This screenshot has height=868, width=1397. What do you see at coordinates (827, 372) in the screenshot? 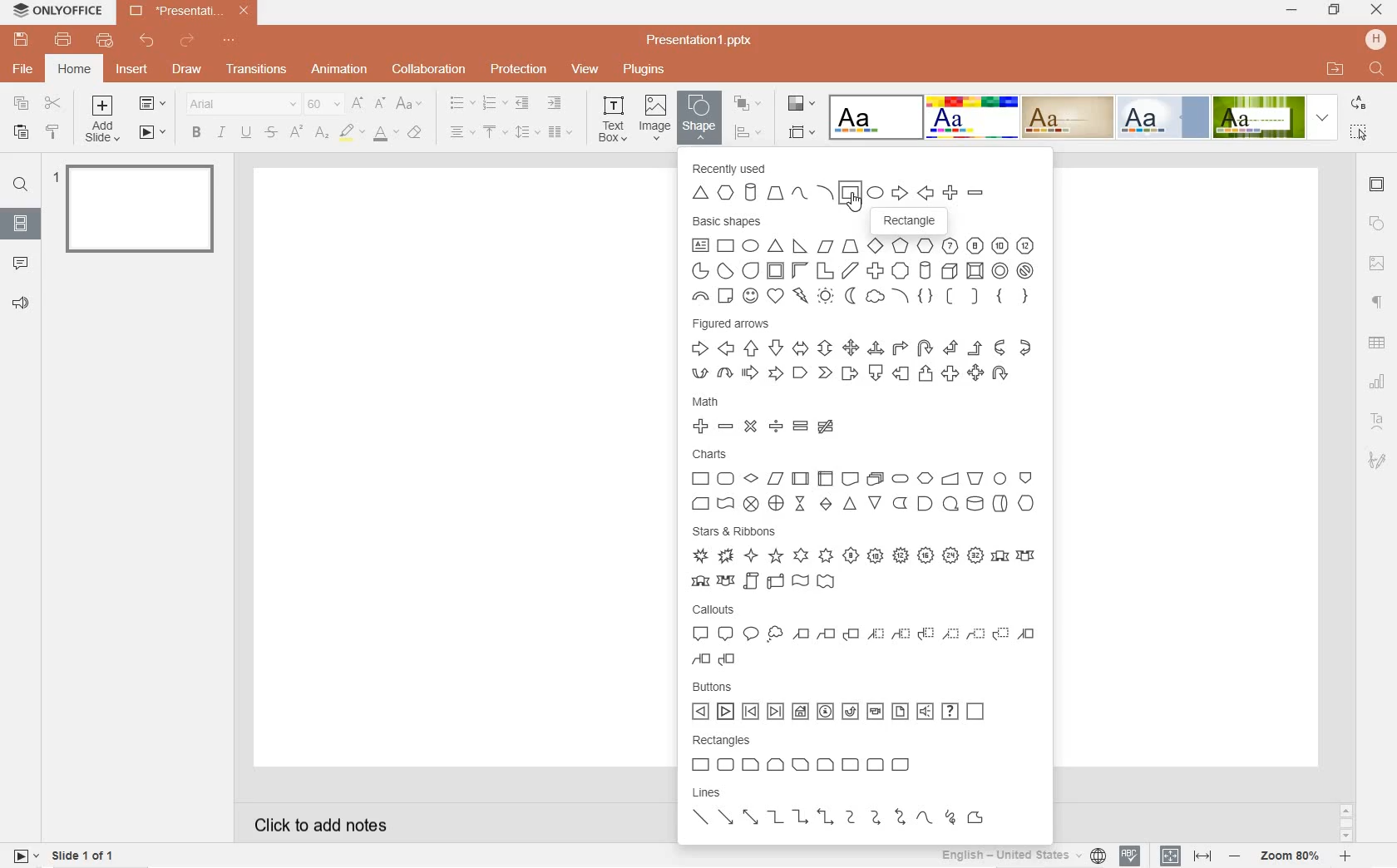
I see `Chevron` at bounding box center [827, 372].